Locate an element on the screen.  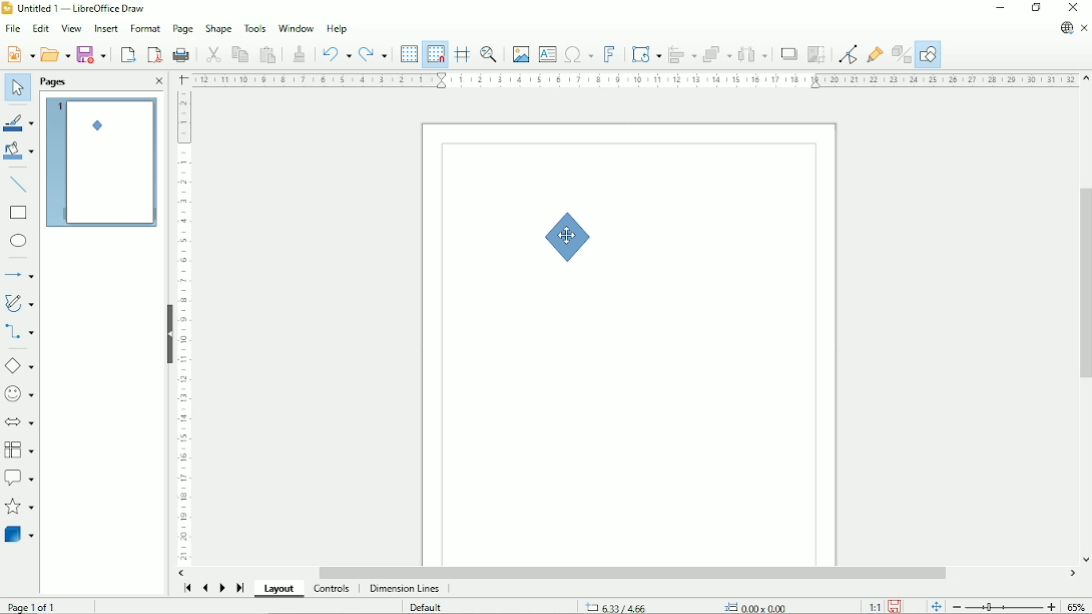
Preview is located at coordinates (103, 163).